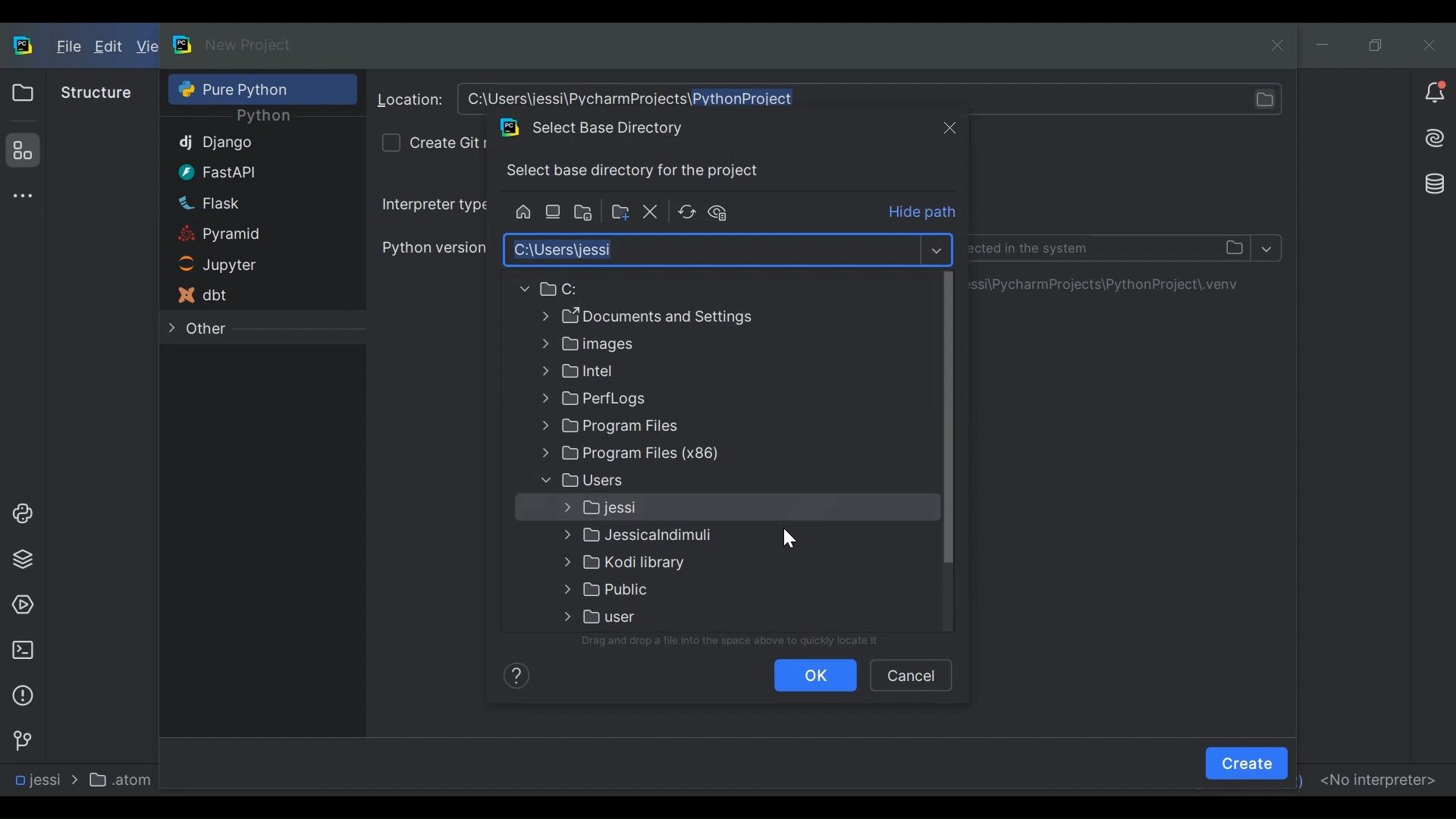  I want to click on Close, so click(1429, 44).